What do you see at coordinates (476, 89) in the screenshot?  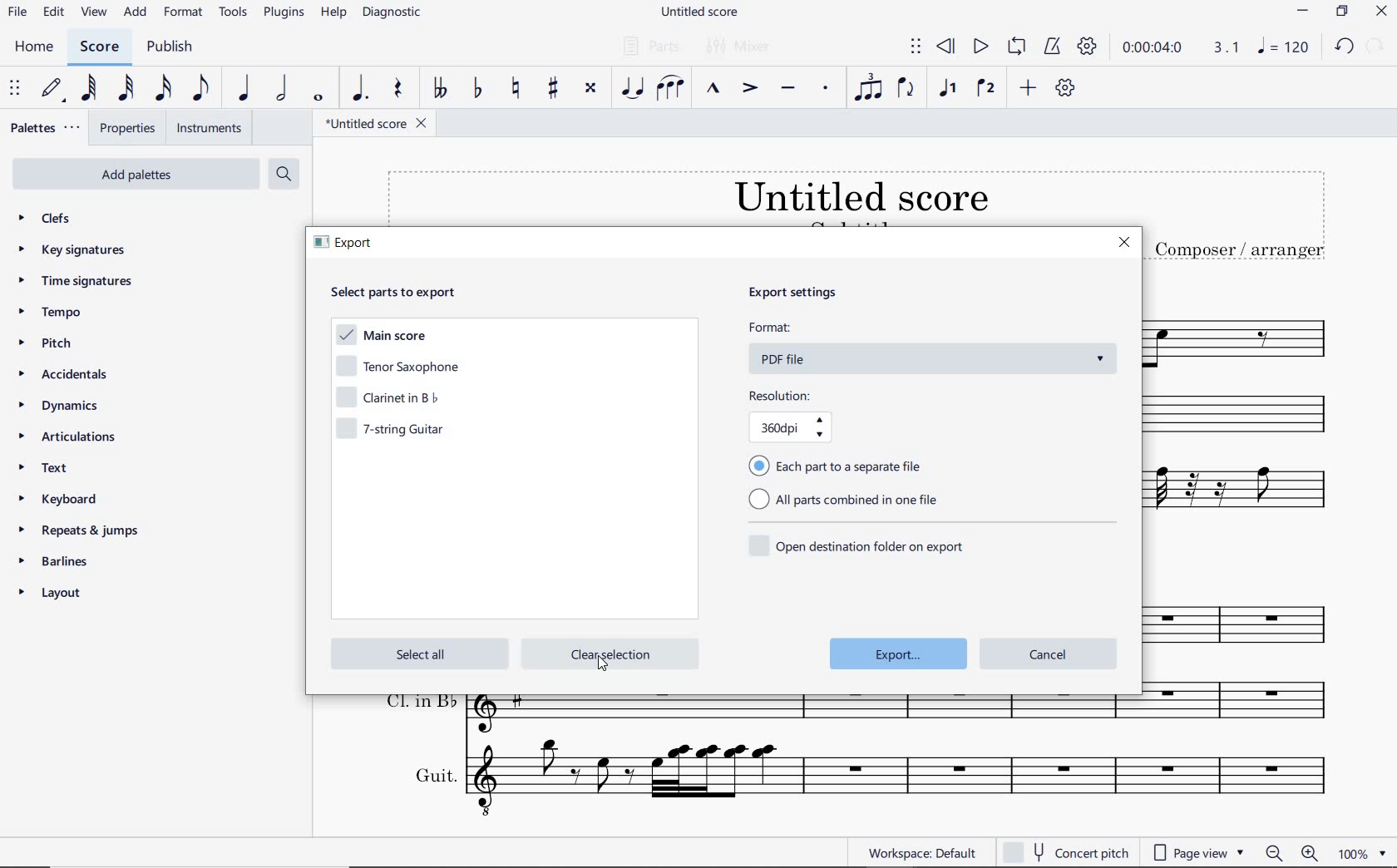 I see `TOGGLE FLAT` at bounding box center [476, 89].